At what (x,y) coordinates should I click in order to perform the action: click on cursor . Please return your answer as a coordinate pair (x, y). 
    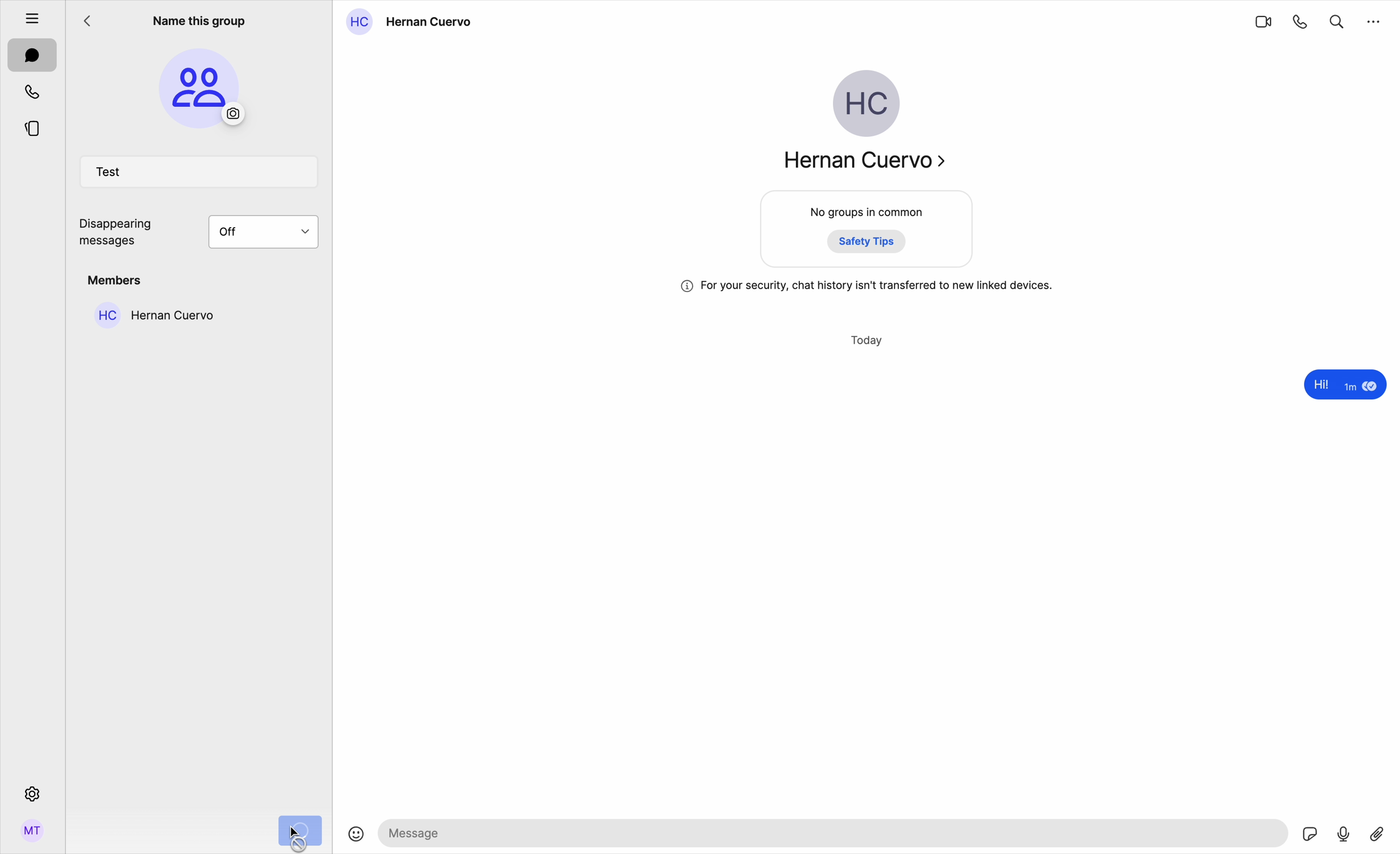
    Looking at the image, I should click on (303, 839).